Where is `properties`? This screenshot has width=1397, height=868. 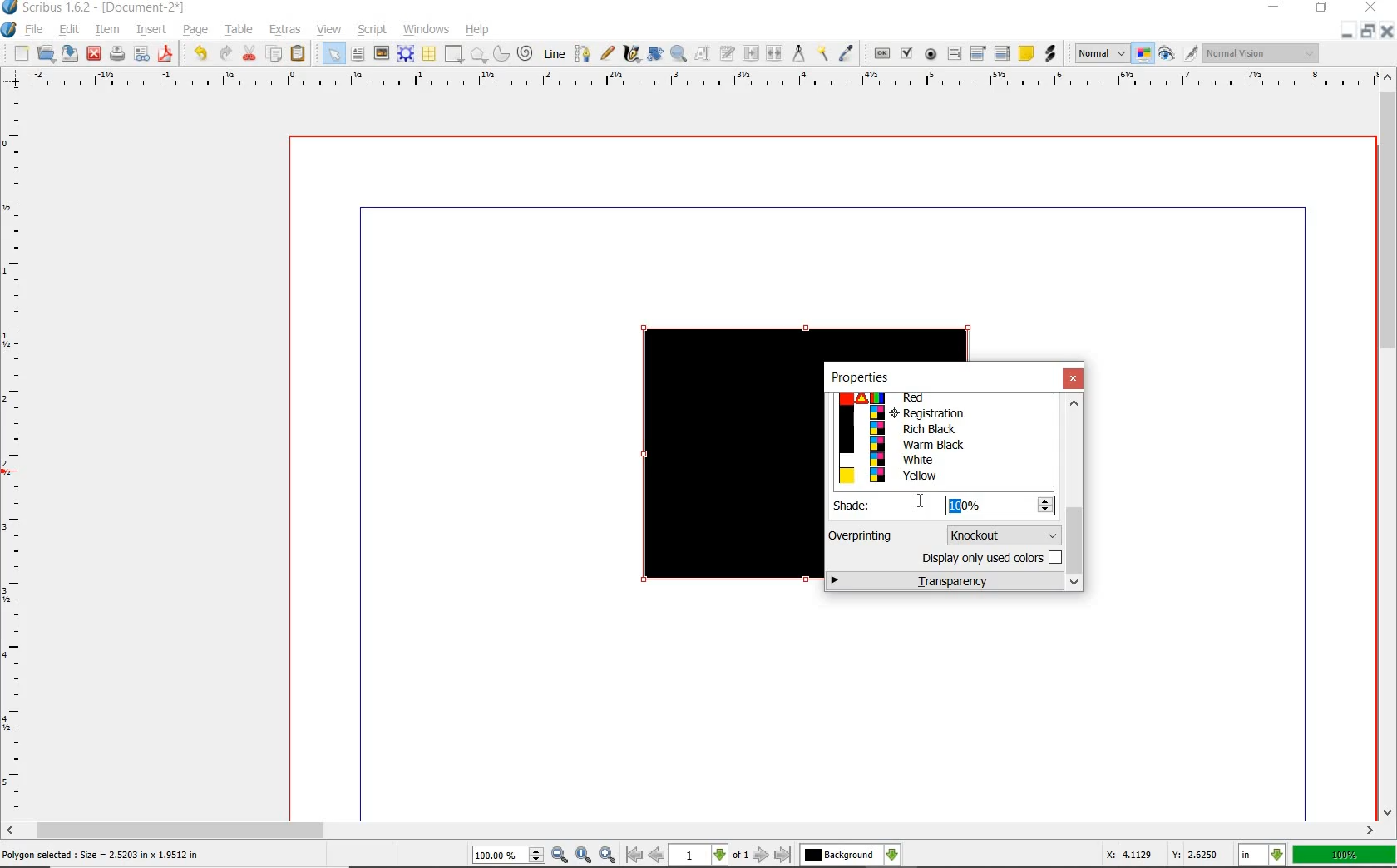 properties is located at coordinates (859, 377).